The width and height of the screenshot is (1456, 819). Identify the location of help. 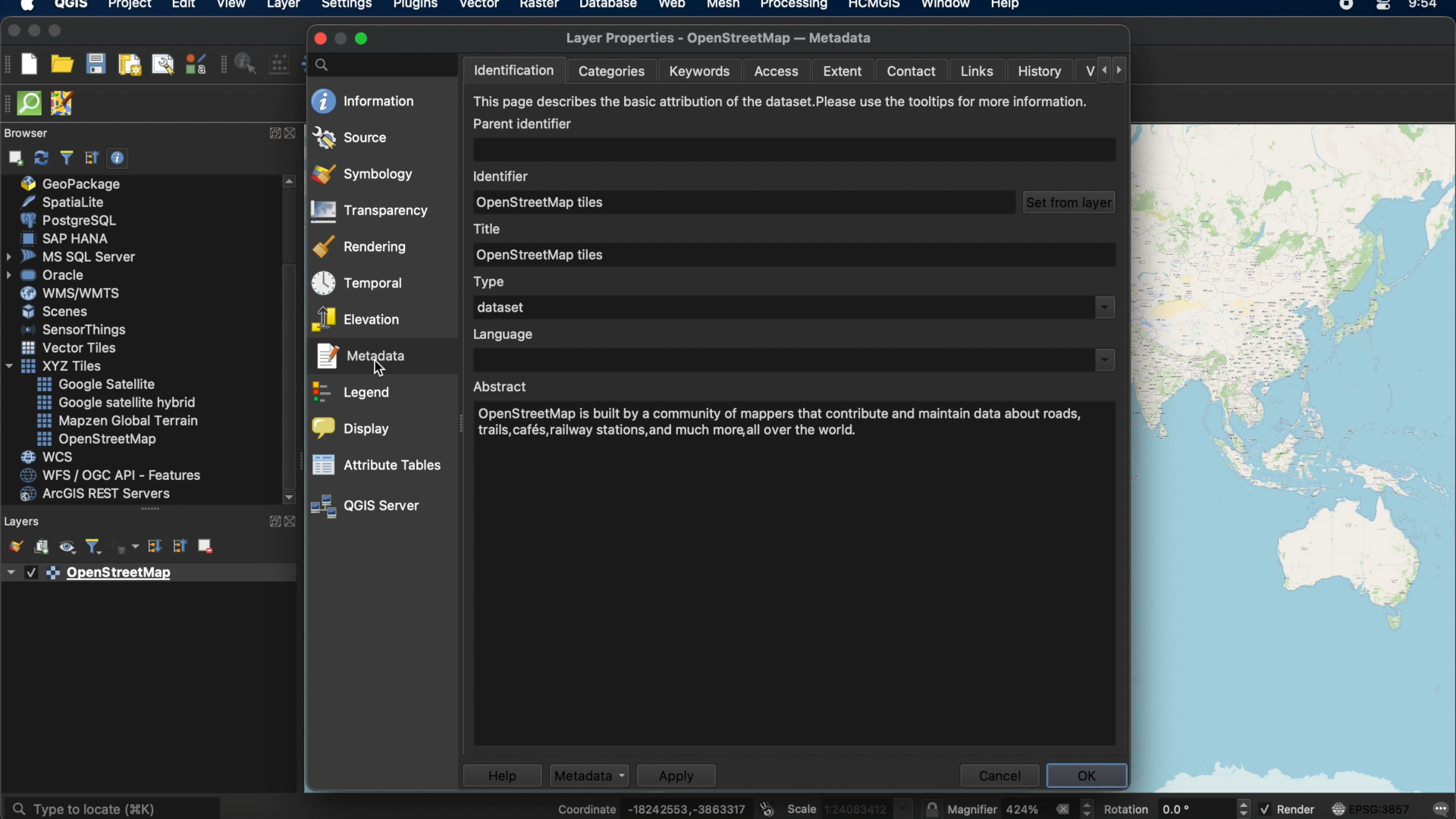
(498, 774).